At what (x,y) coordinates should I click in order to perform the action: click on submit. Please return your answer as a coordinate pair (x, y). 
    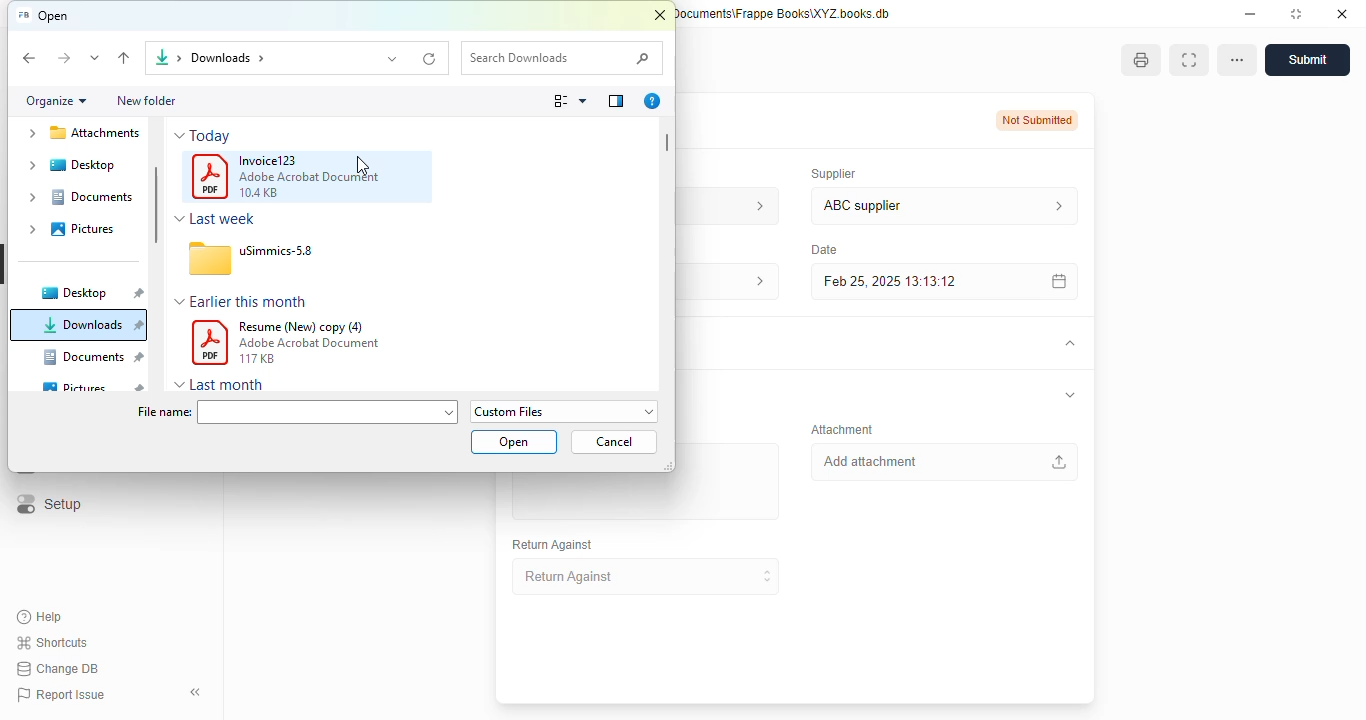
    Looking at the image, I should click on (1307, 60).